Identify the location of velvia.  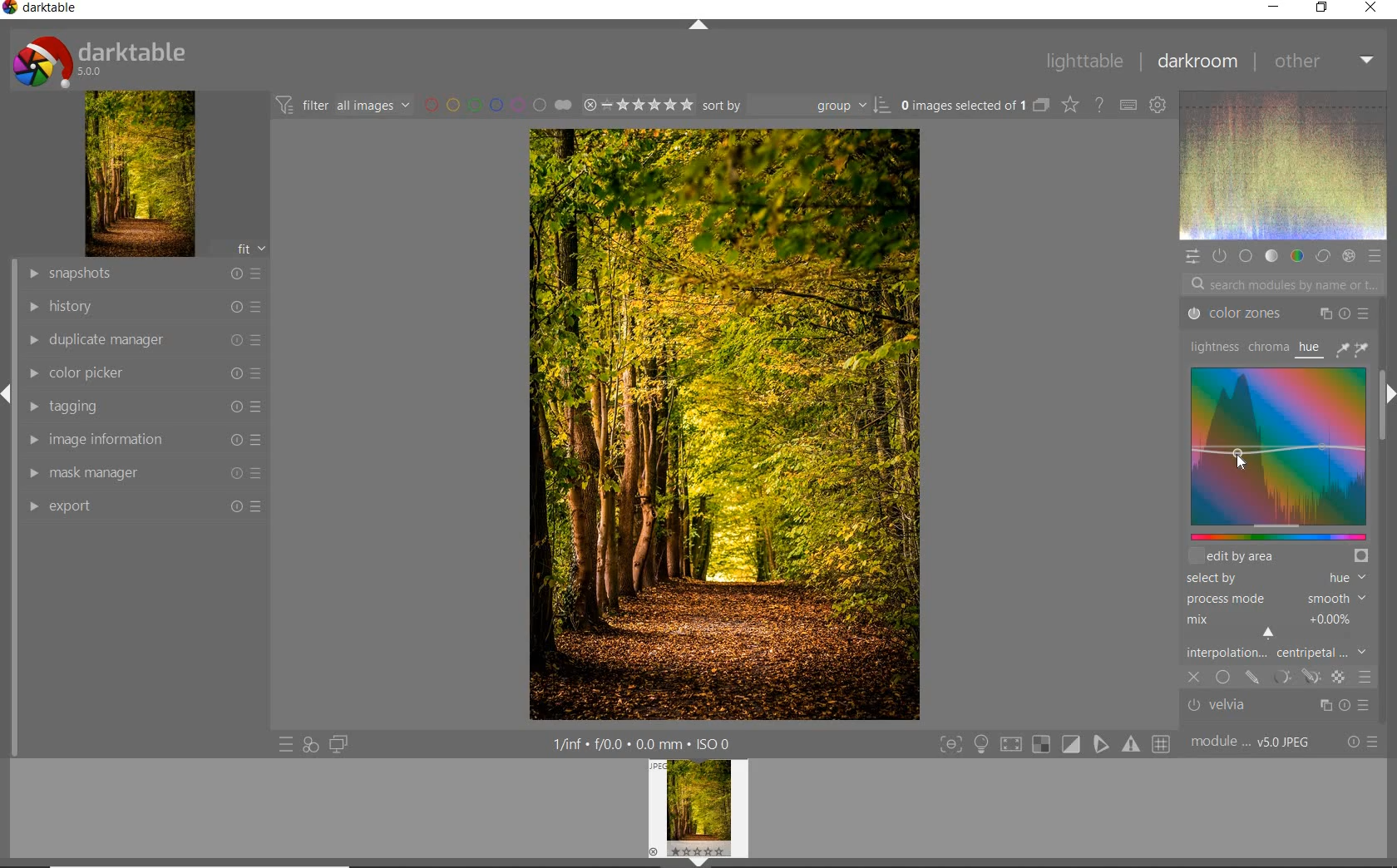
(1281, 707).